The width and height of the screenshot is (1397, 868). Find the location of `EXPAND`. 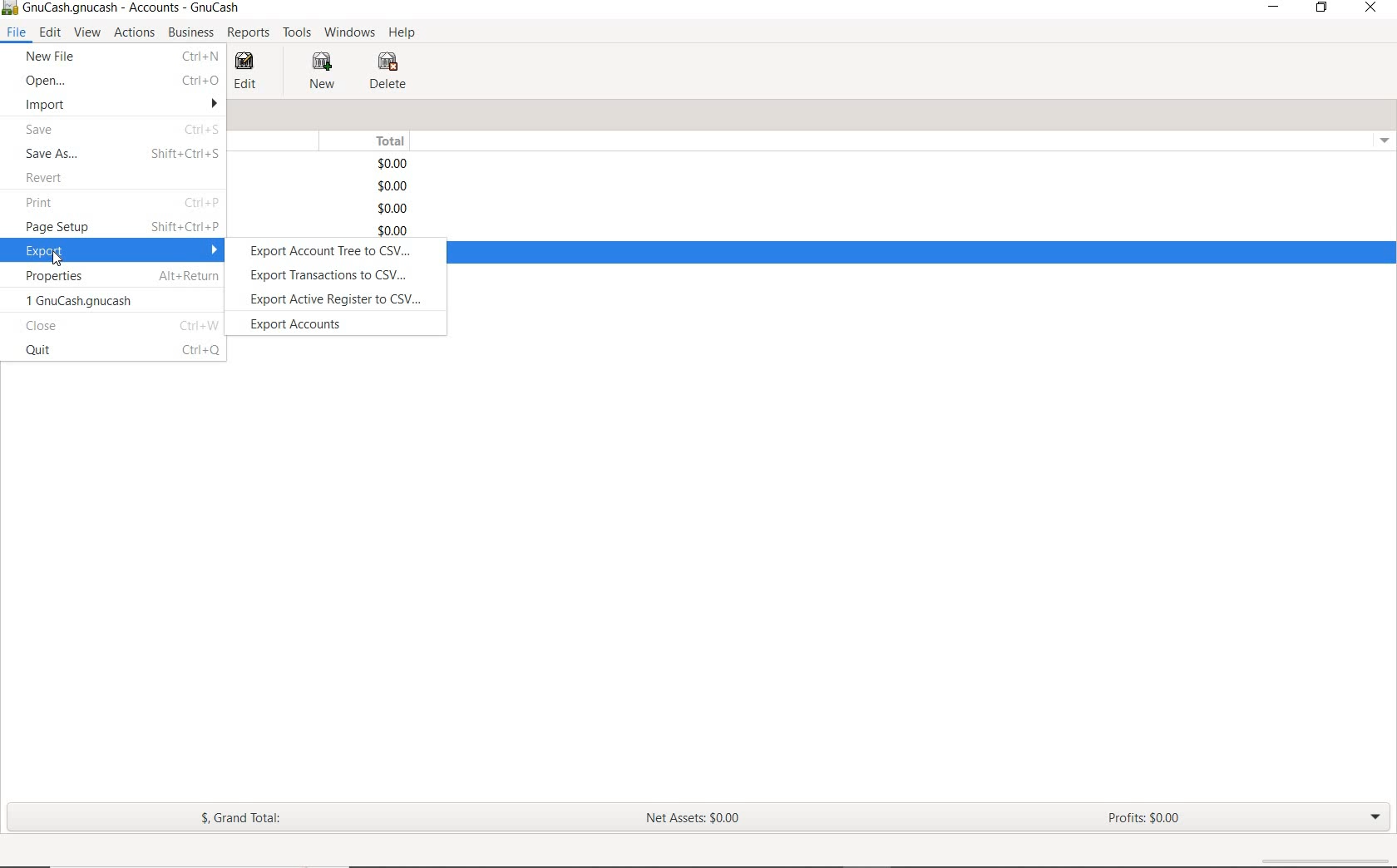

EXPAND is located at coordinates (1373, 819).